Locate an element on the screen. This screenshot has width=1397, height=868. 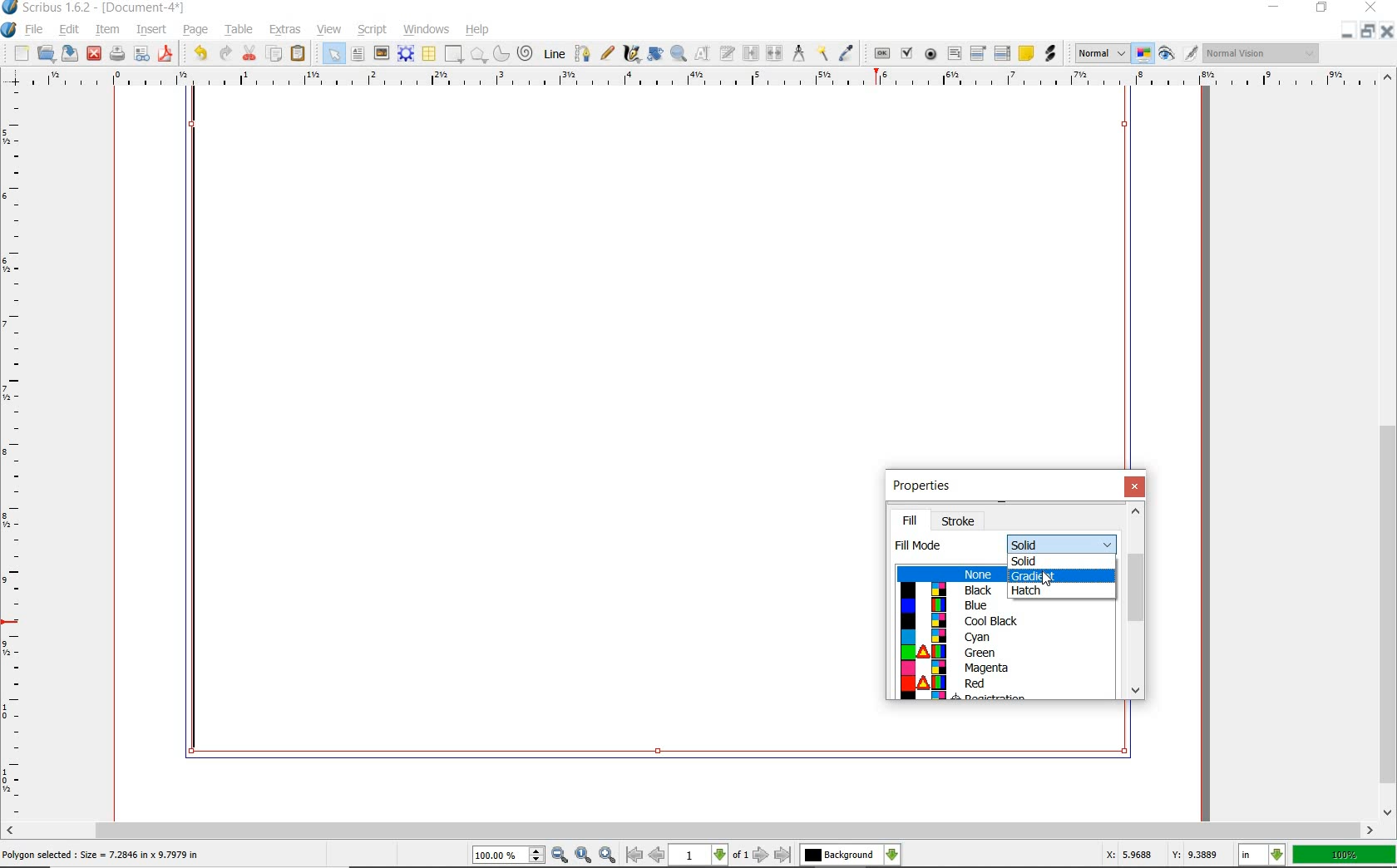
link annotation is located at coordinates (1049, 55).